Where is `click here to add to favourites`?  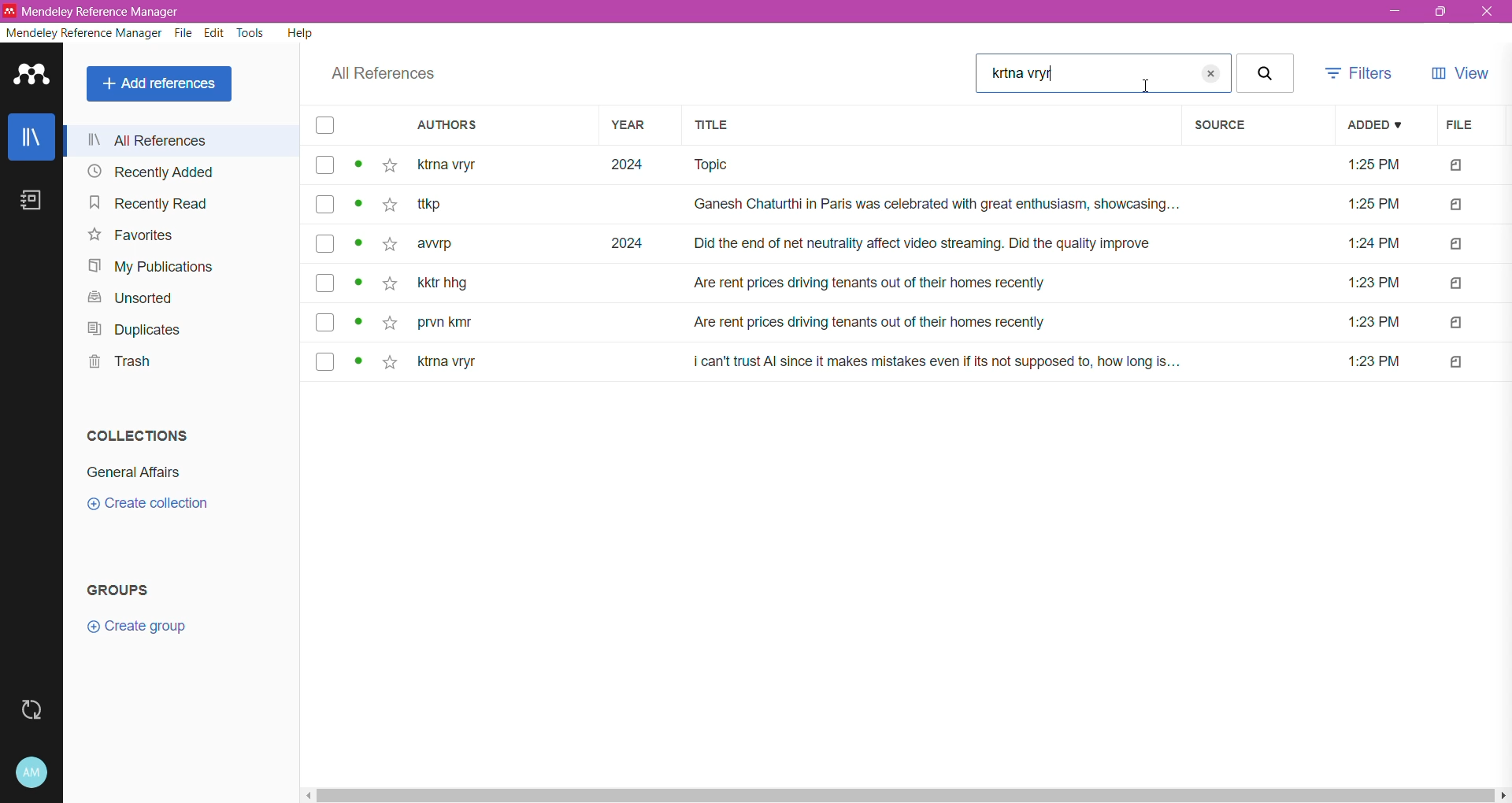
click here to add to favourites is located at coordinates (388, 204).